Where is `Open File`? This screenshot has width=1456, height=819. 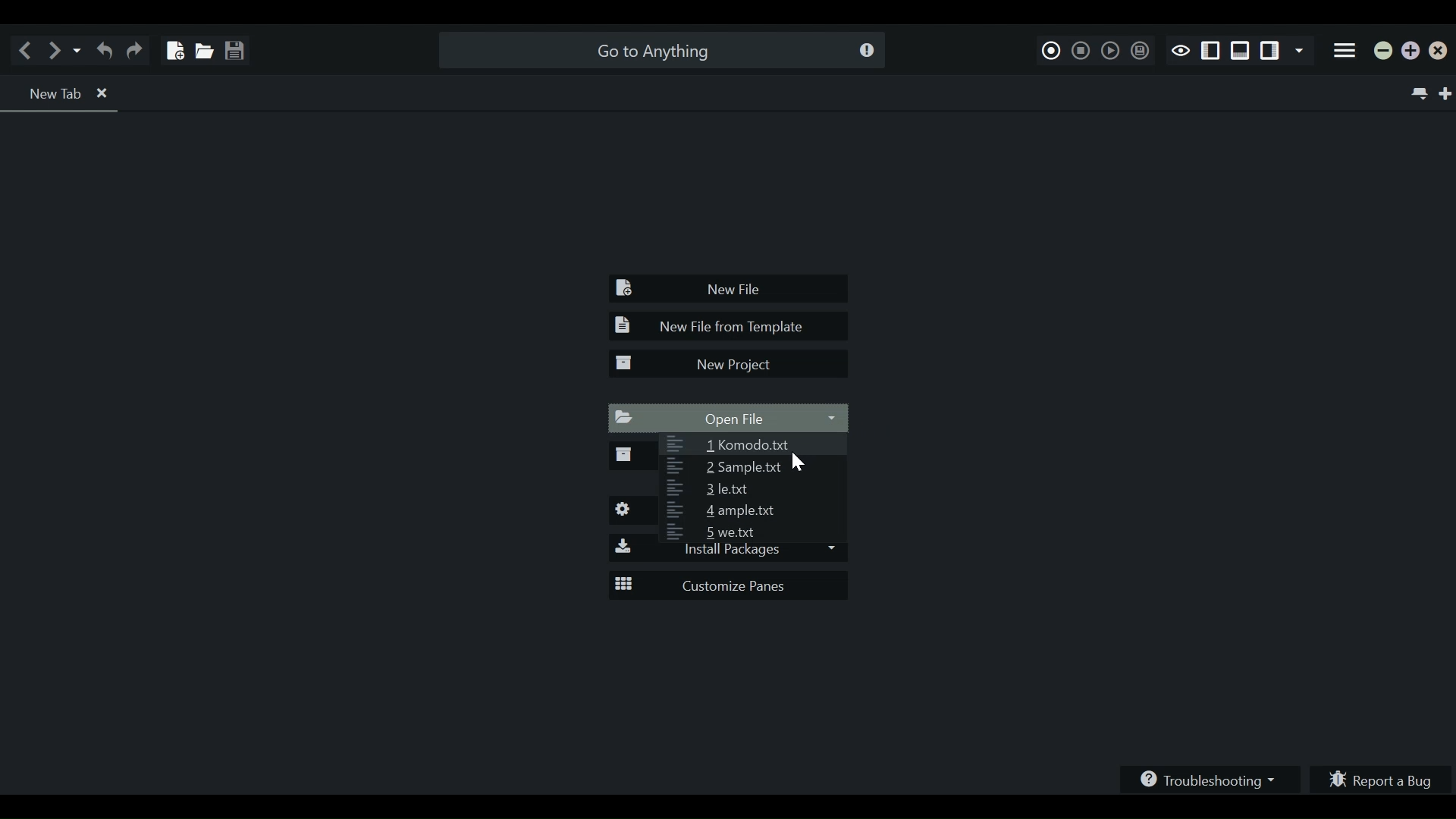 Open File is located at coordinates (730, 419).